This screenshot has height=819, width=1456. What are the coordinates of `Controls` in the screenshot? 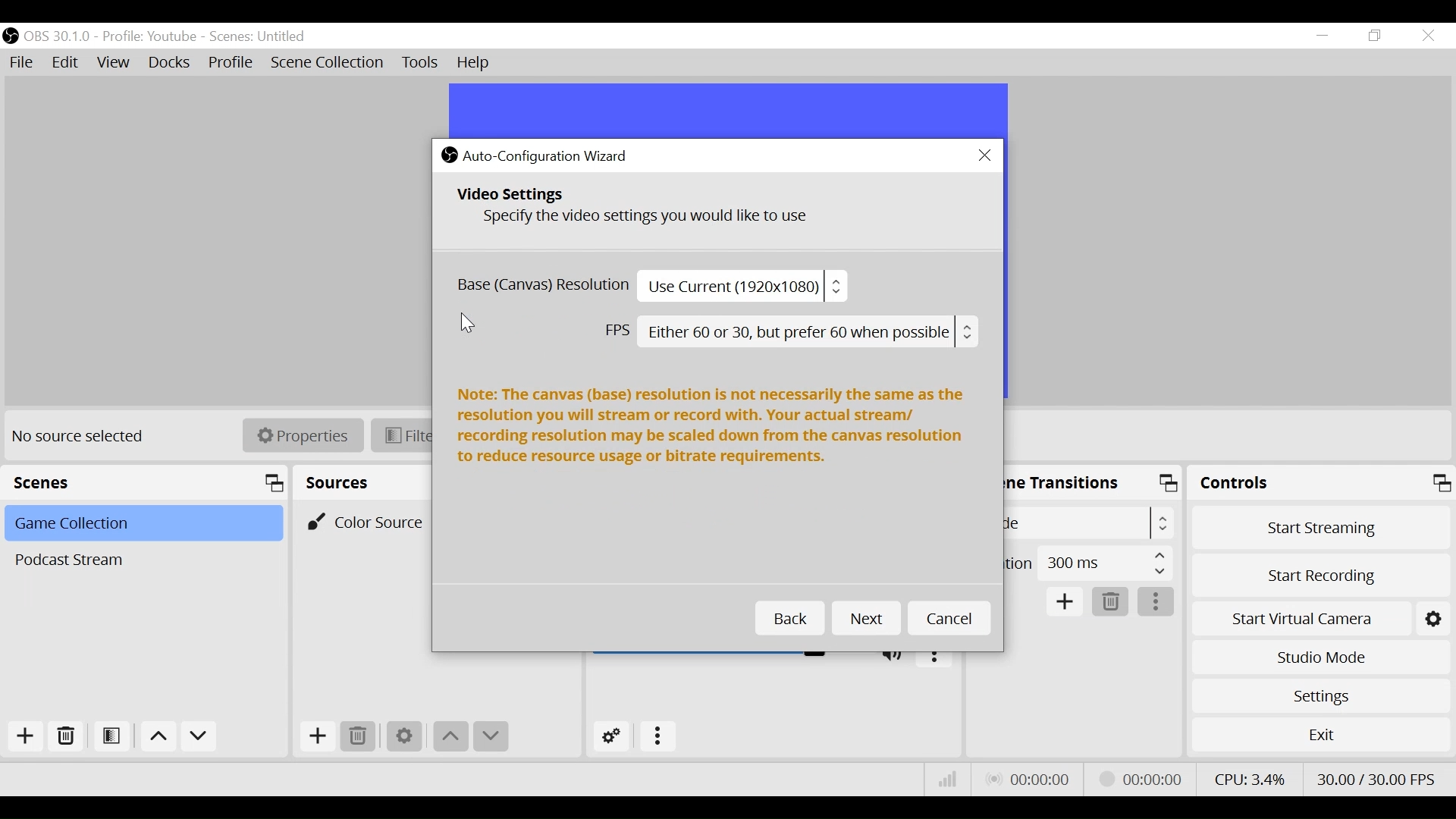 It's located at (1319, 483).